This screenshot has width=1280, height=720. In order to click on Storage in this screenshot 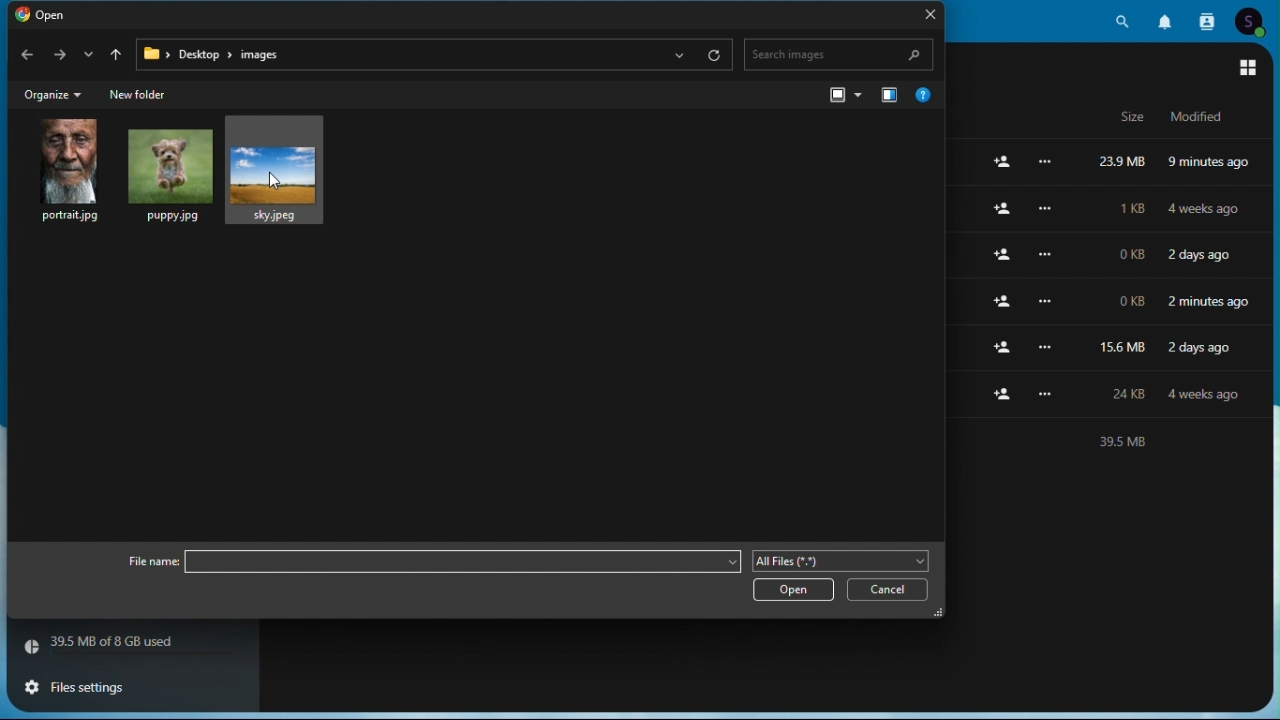, I will do `click(131, 649)`.